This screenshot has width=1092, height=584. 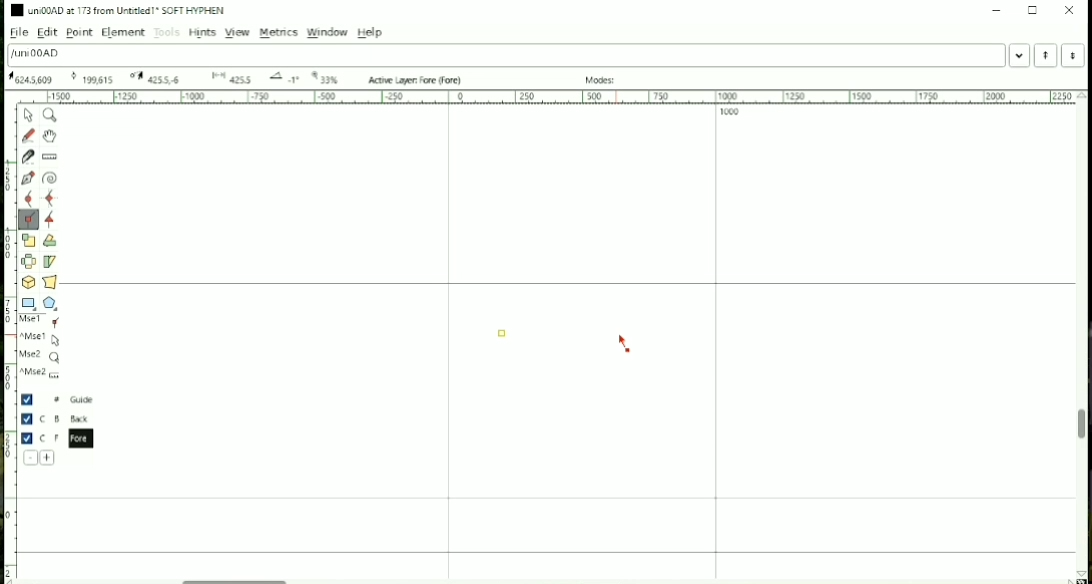 What do you see at coordinates (28, 198) in the screenshot?
I see `Add a curve point` at bounding box center [28, 198].